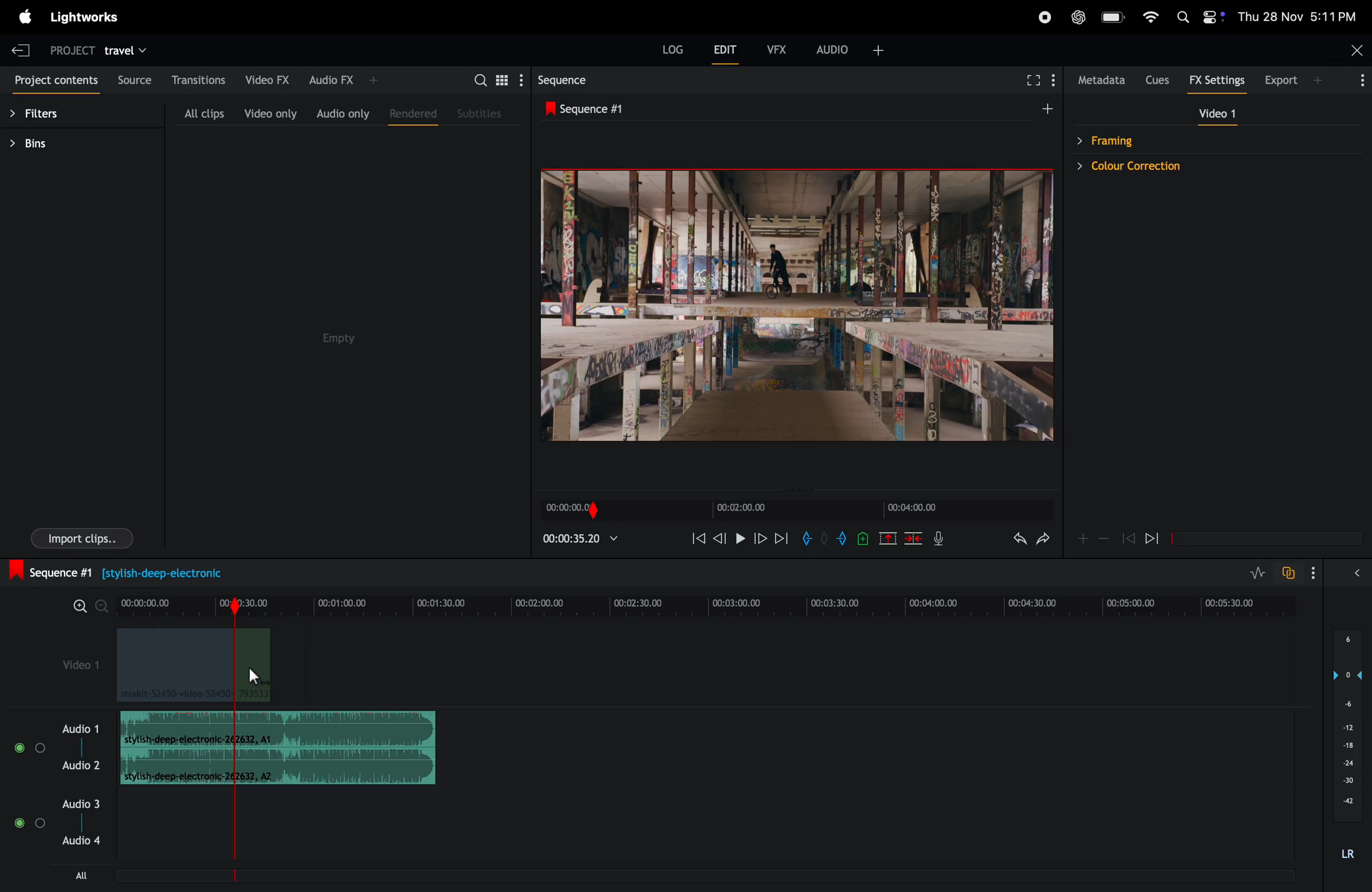  I want to click on project contents, so click(54, 82).